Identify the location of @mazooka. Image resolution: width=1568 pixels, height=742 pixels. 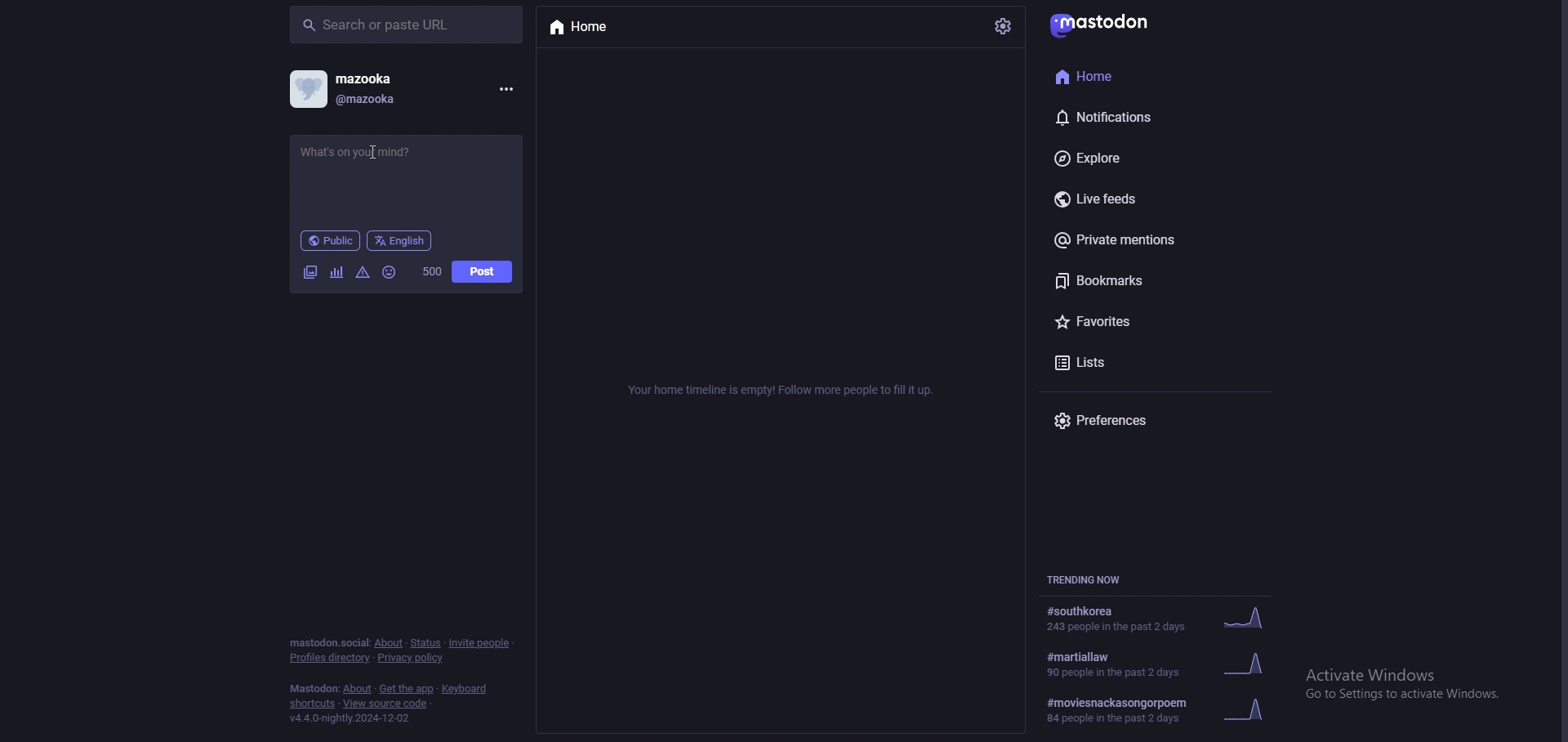
(376, 100).